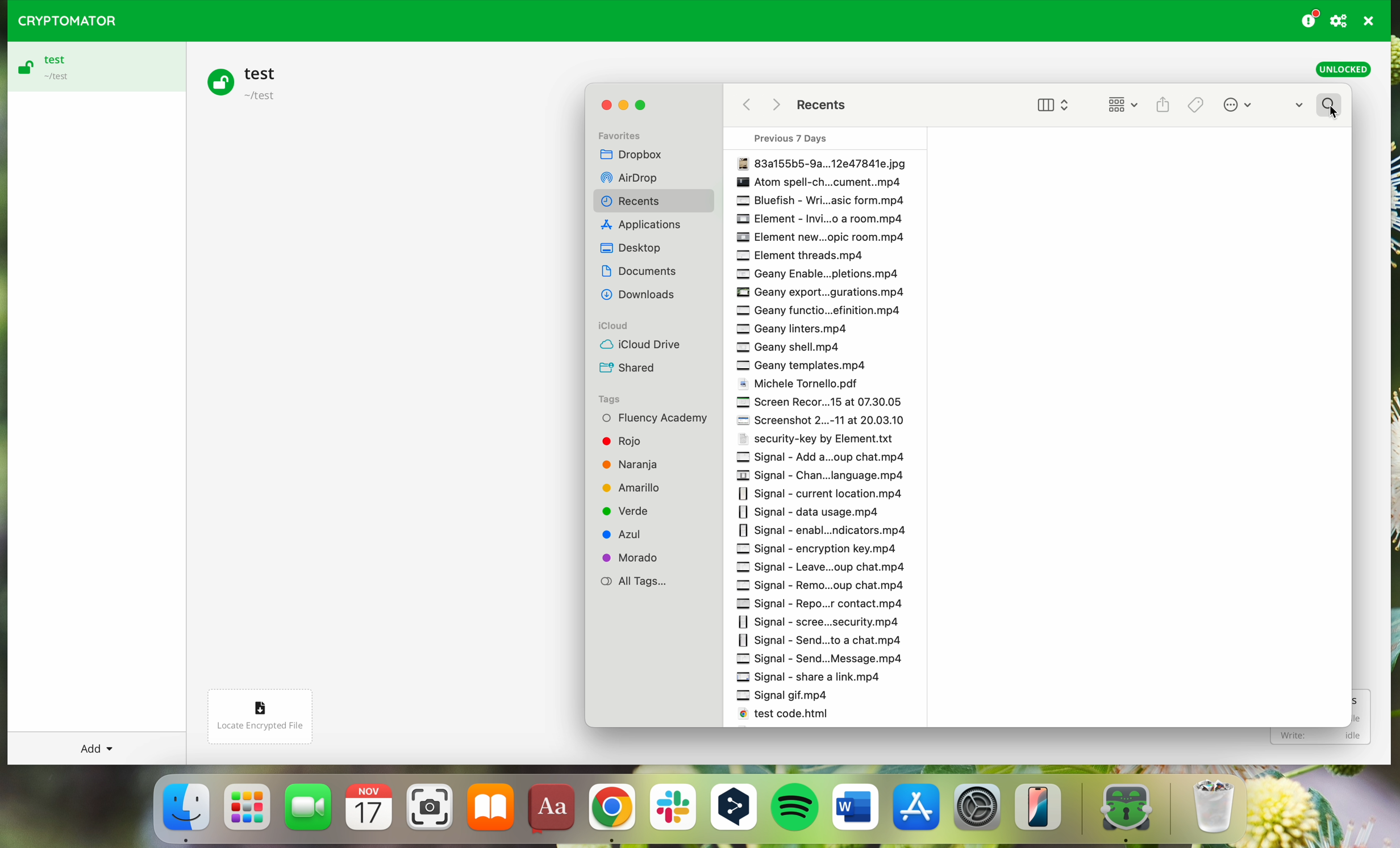  I want to click on iBooks, so click(491, 811).